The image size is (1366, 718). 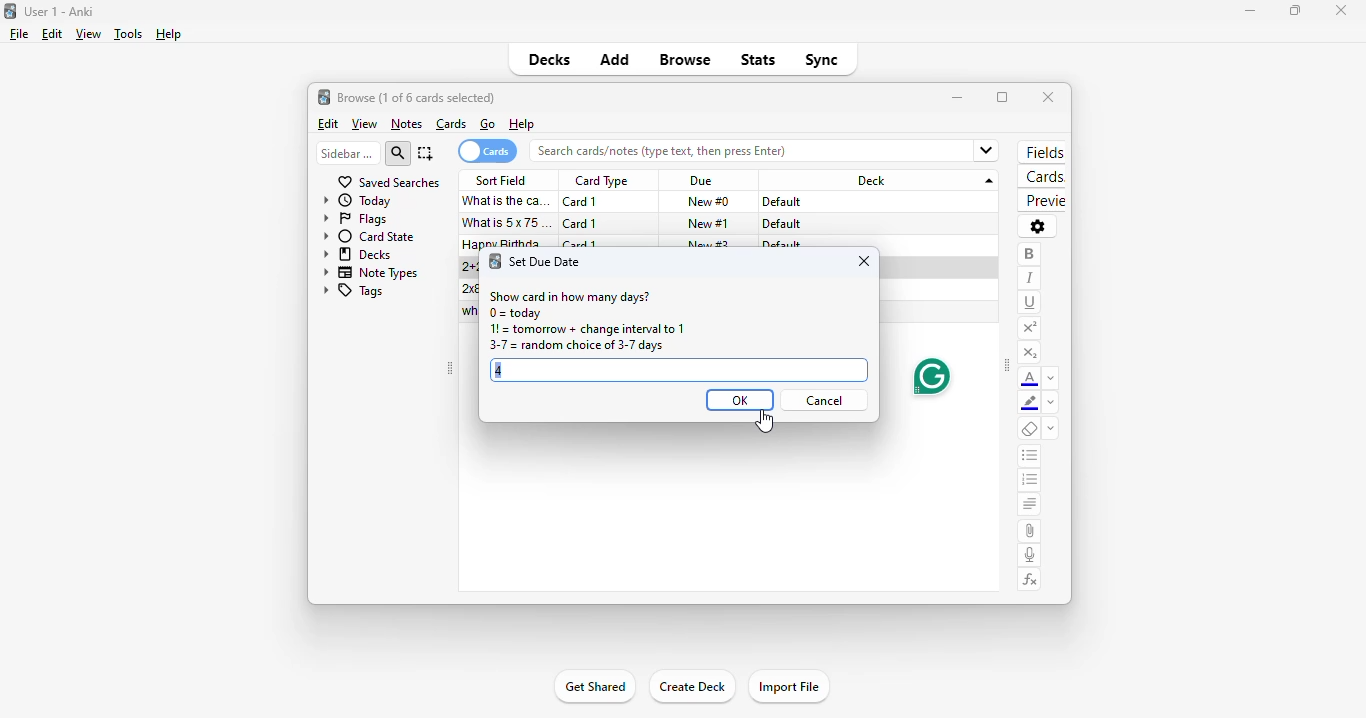 I want to click on view, so click(x=364, y=124).